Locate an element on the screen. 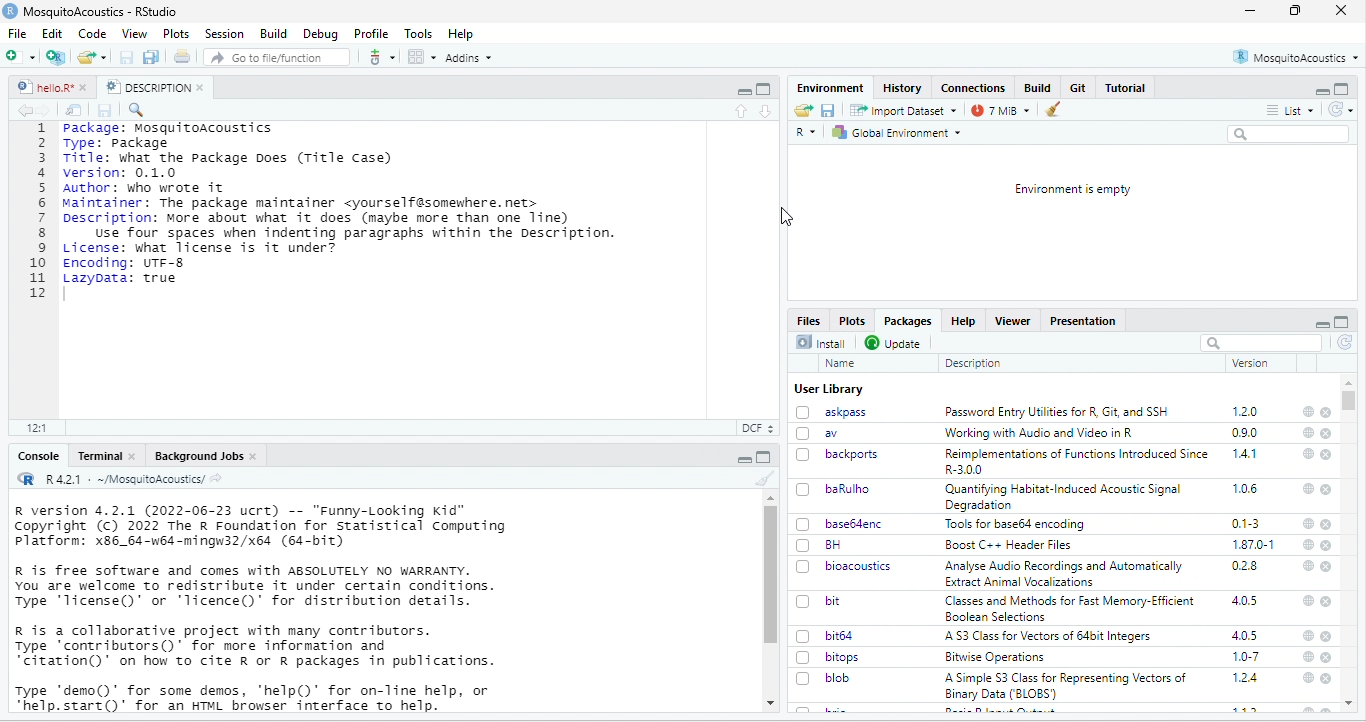 This screenshot has width=1366, height=722. close is located at coordinates (1327, 524).